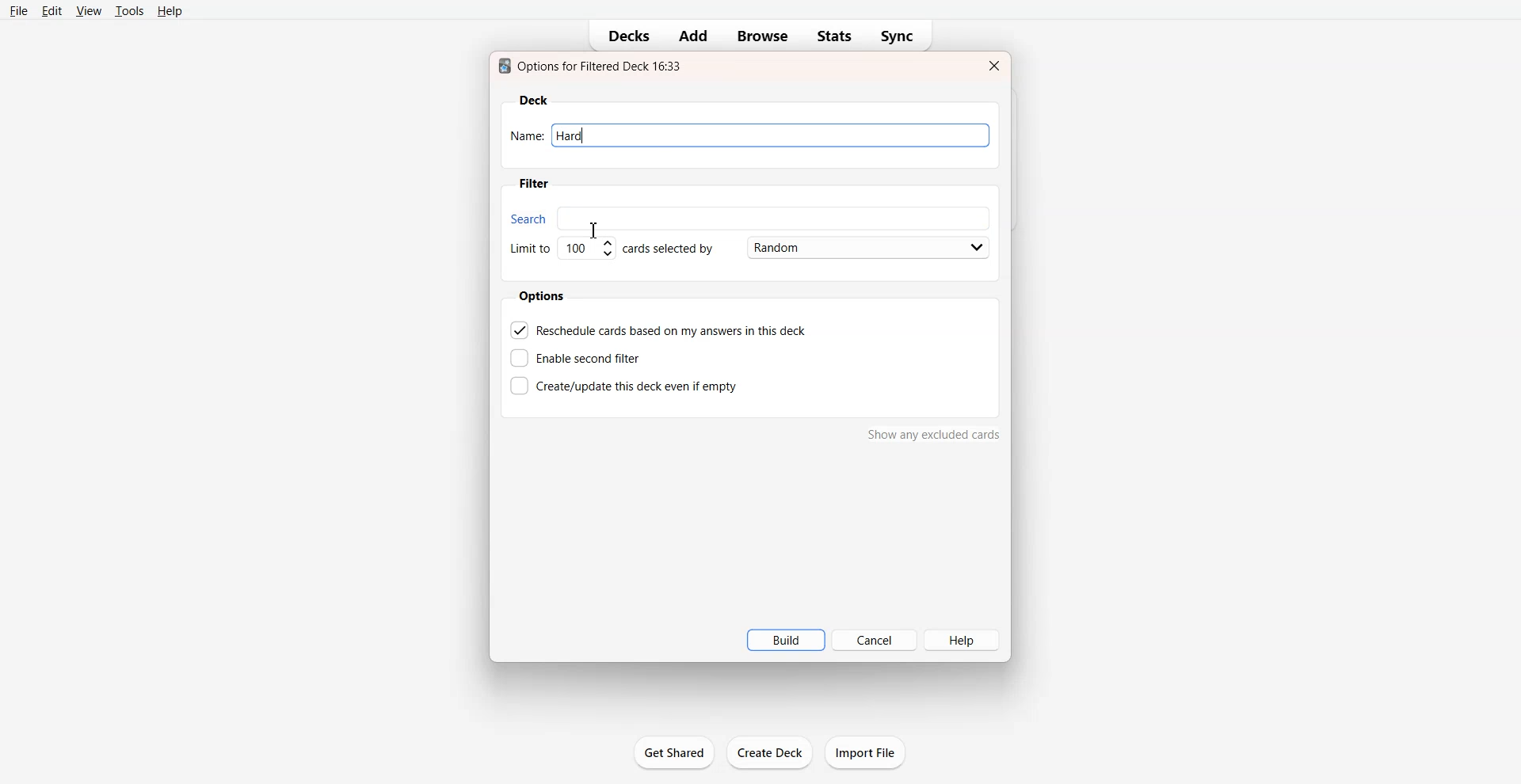  I want to click on Text, so click(593, 66).